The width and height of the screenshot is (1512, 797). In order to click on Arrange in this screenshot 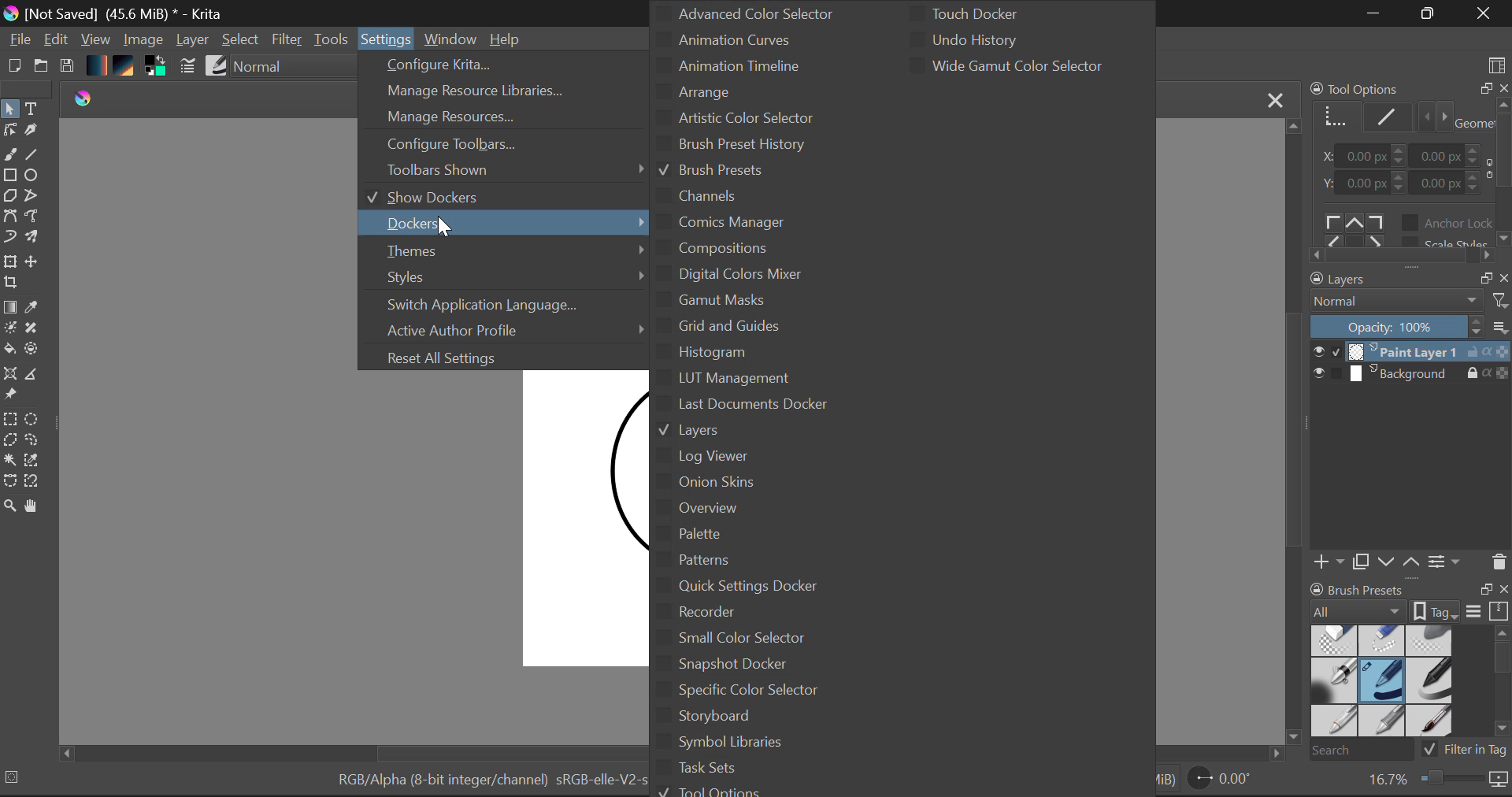, I will do `click(736, 91)`.